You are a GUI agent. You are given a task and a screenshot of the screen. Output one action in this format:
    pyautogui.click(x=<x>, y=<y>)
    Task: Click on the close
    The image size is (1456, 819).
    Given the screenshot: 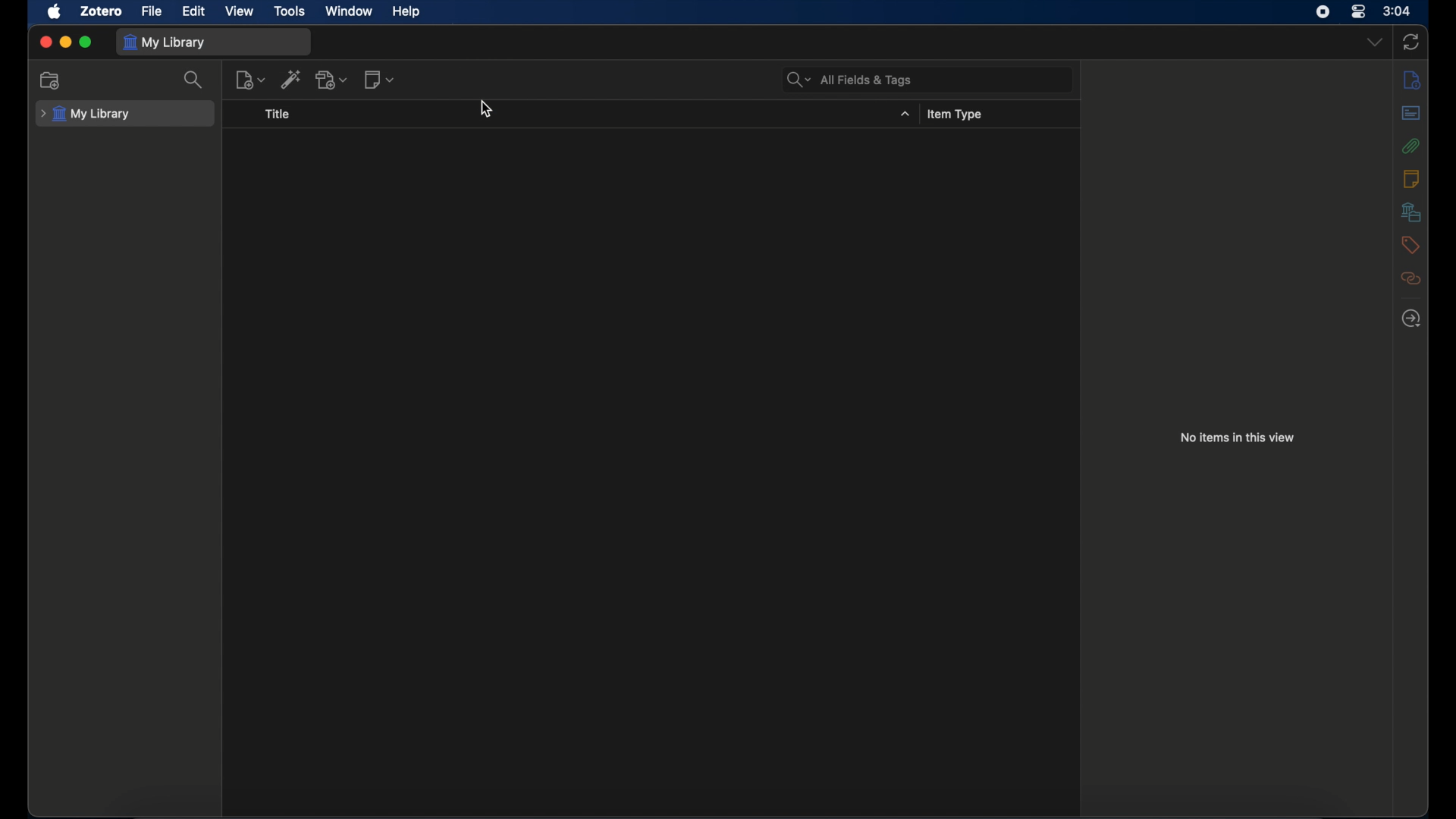 What is the action you would take?
    pyautogui.click(x=45, y=42)
    